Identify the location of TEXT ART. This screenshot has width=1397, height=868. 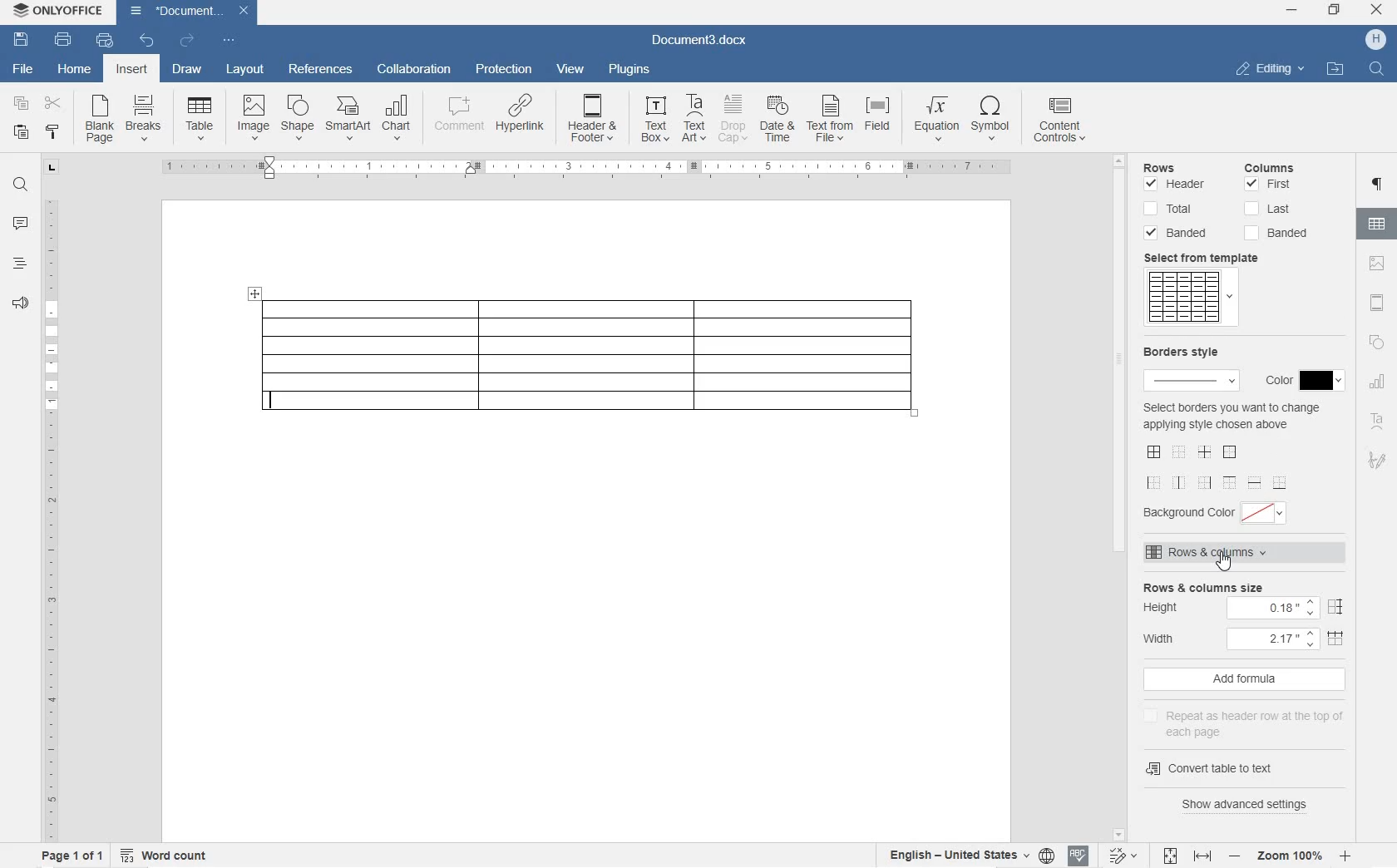
(1378, 422).